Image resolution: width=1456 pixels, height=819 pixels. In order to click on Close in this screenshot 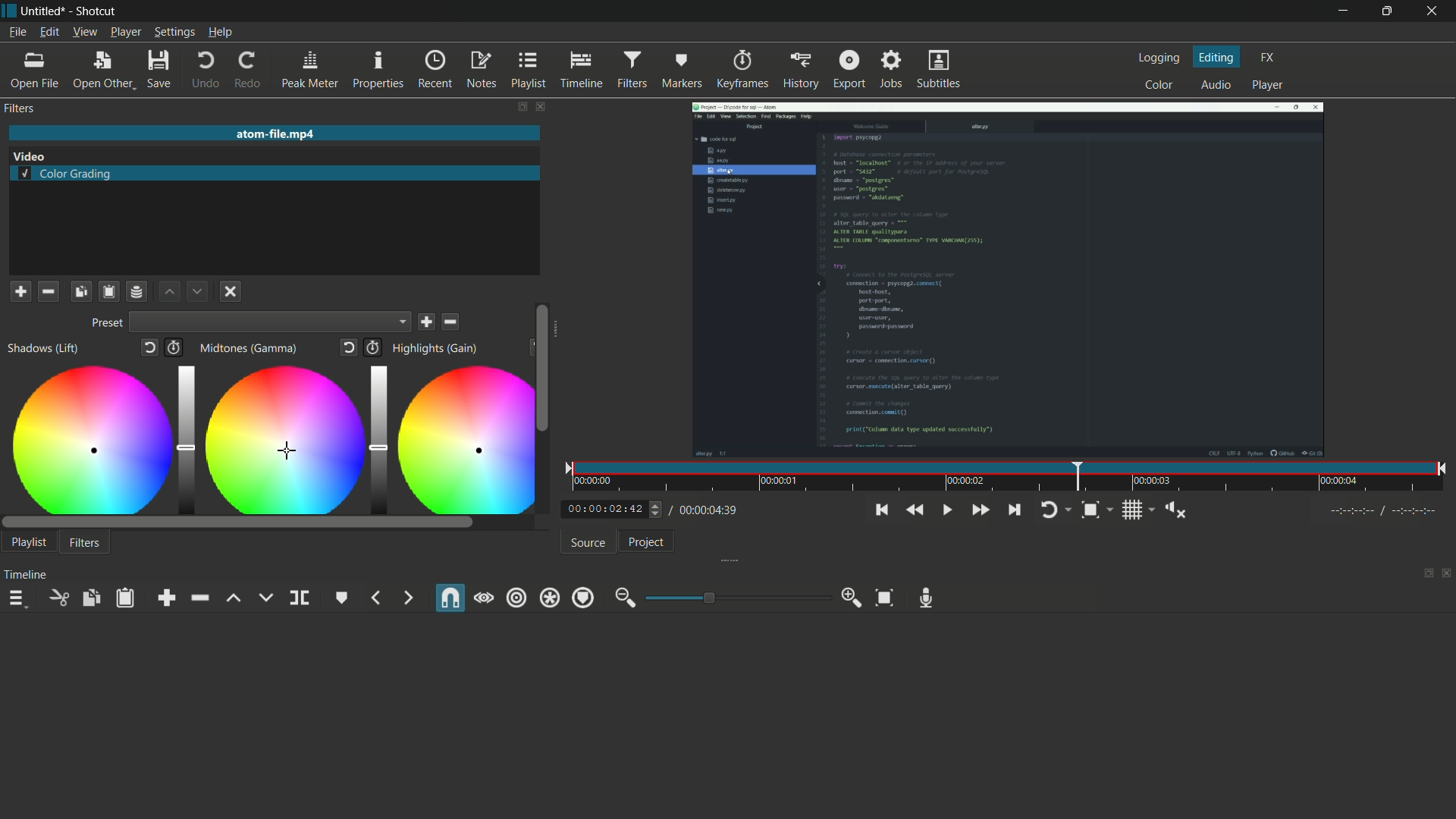, I will do `click(229, 293)`.